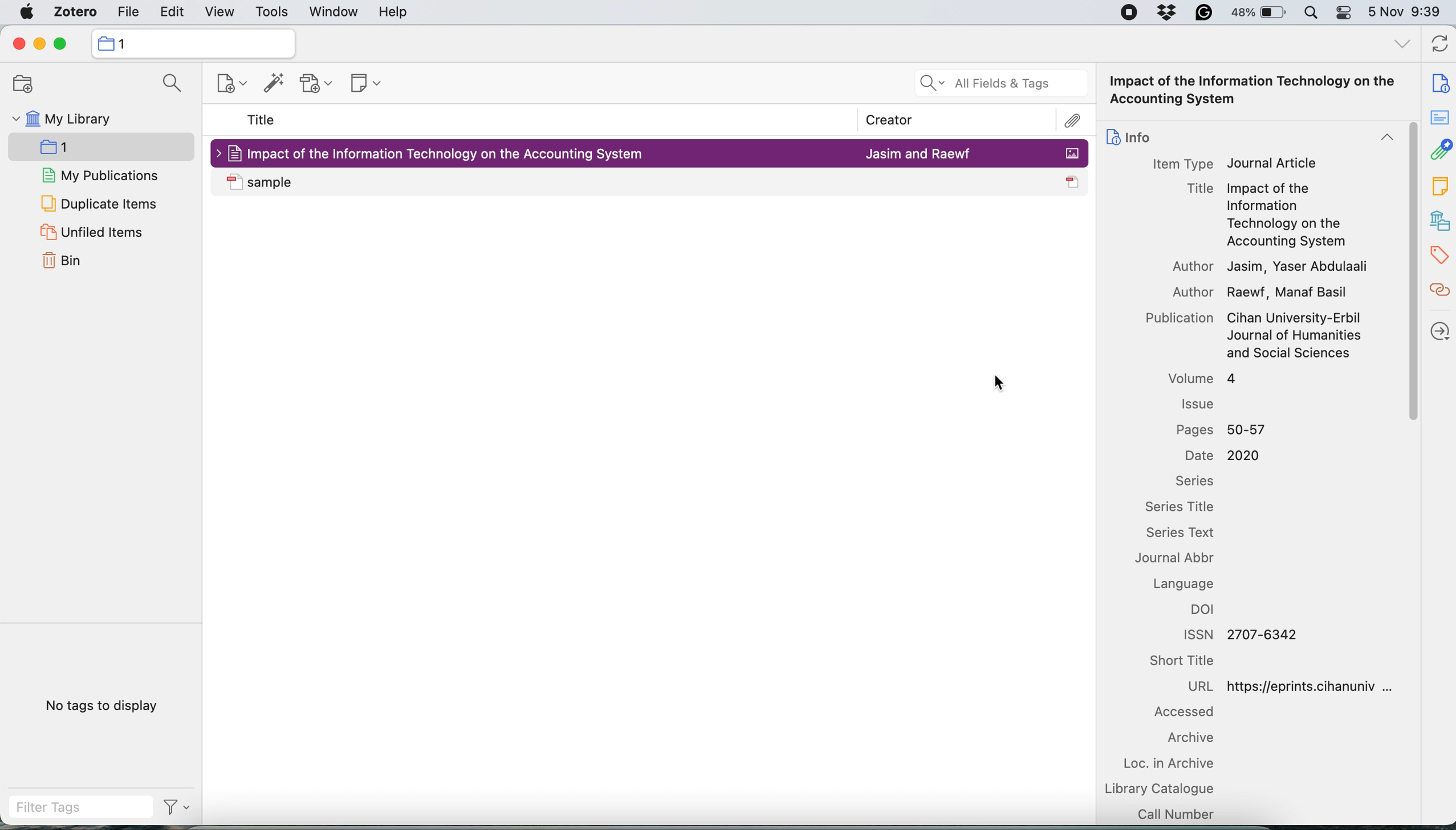  What do you see at coordinates (169, 83) in the screenshot?
I see `search` at bounding box center [169, 83].